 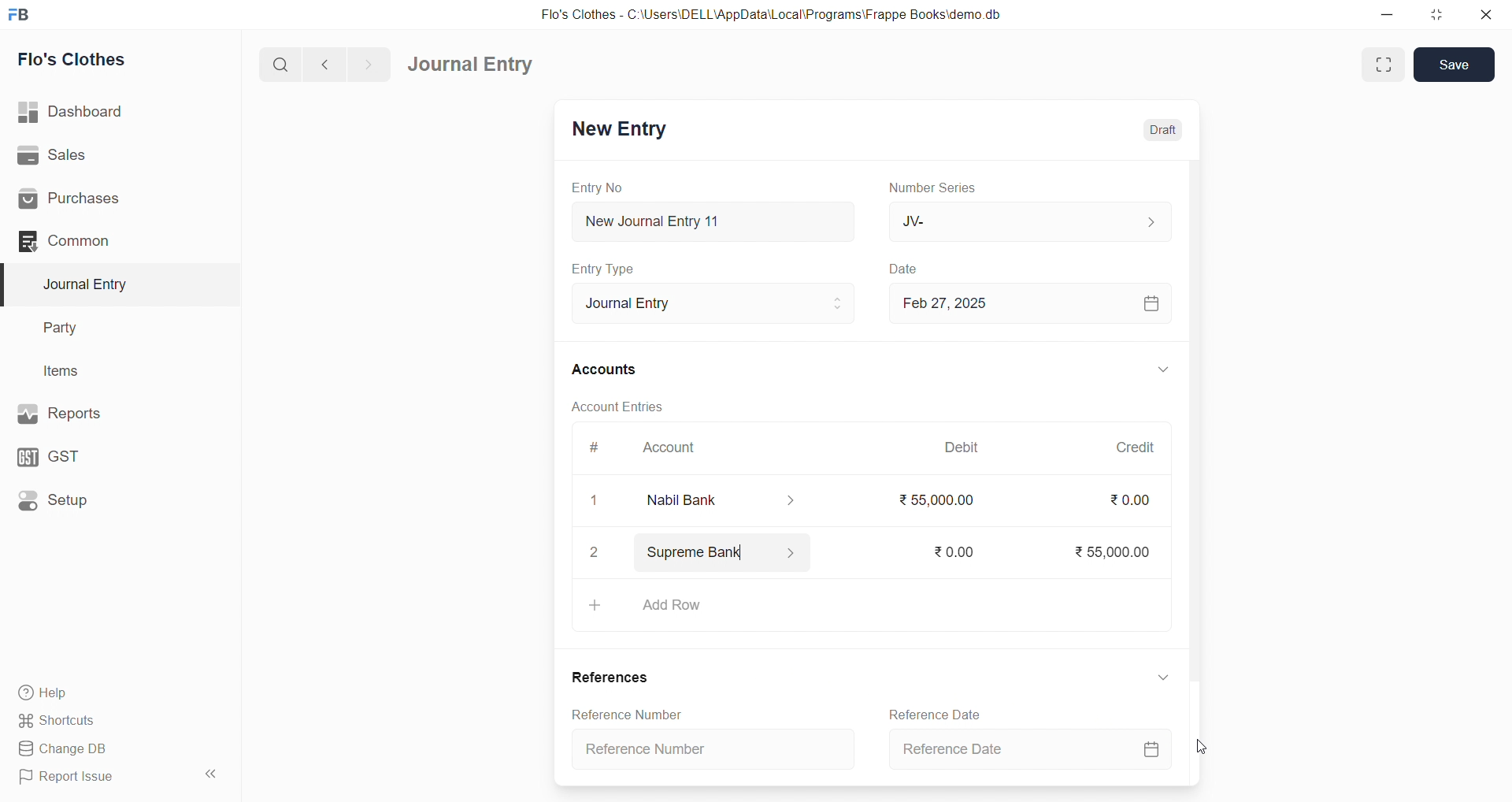 I want to click on Date, so click(x=908, y=269).